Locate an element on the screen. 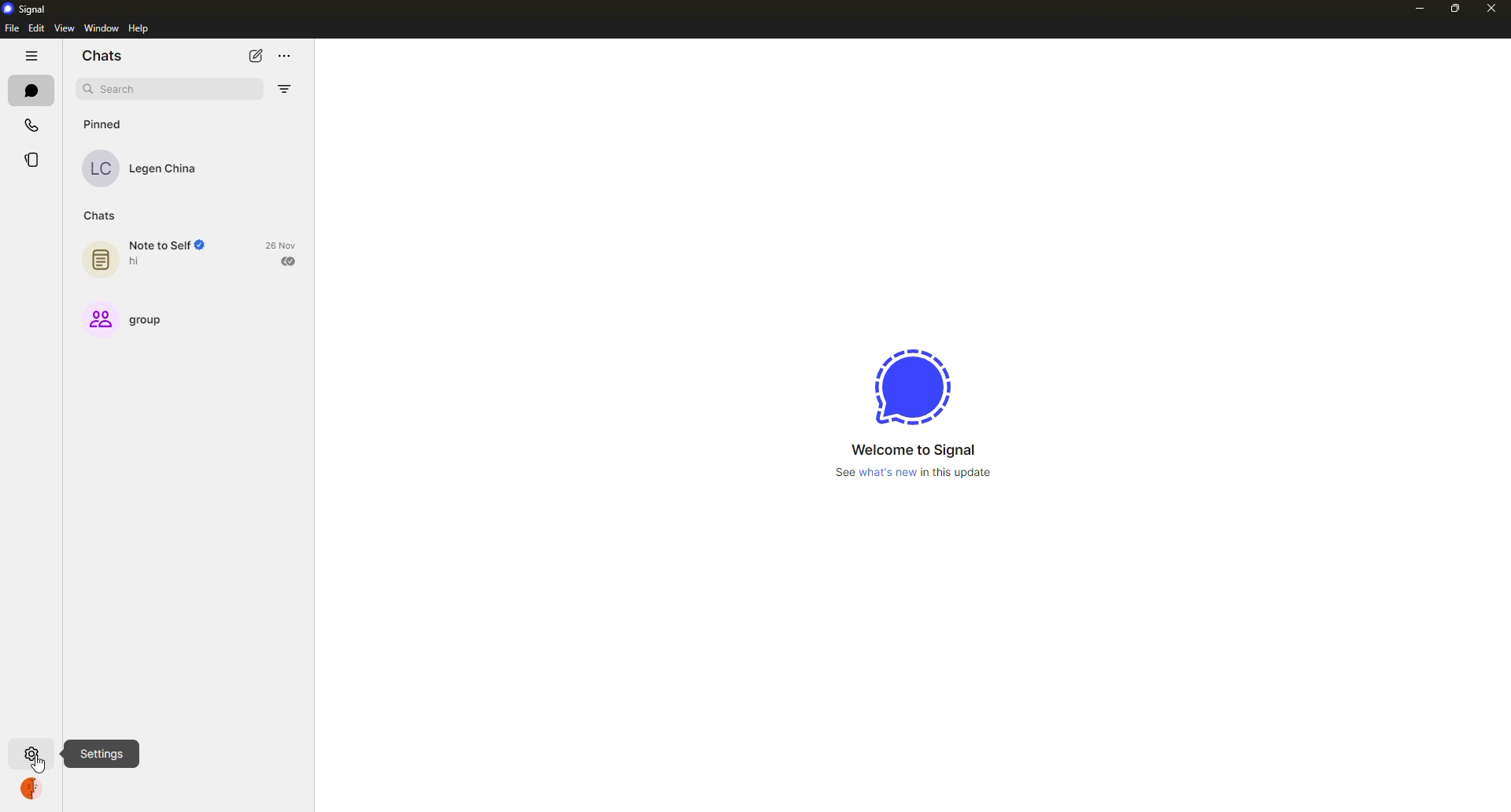 The height and width of the screenshot is (812, 1511). group is located at coordinates (157, 321).